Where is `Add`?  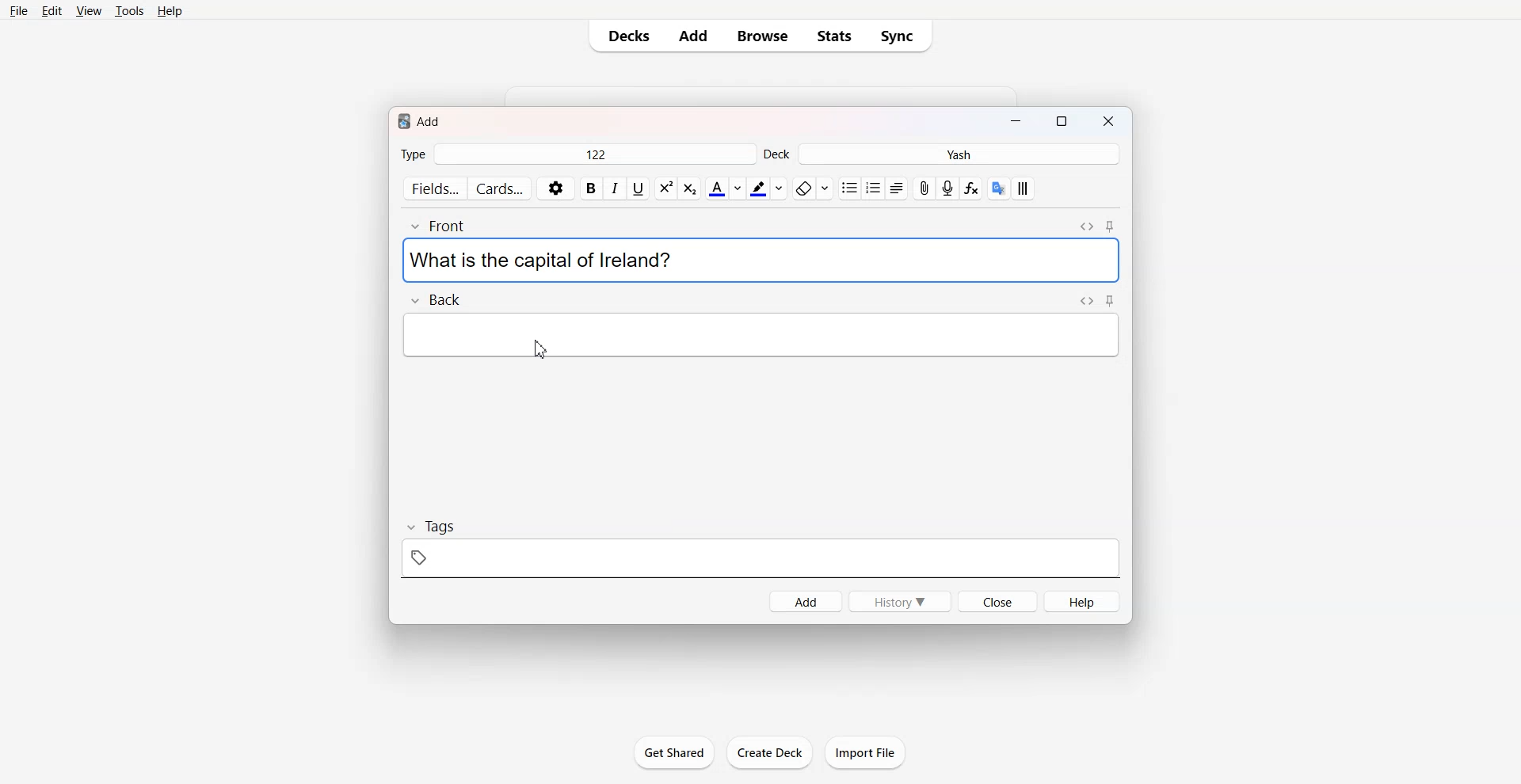 Add is located at coordinates (693, 36).